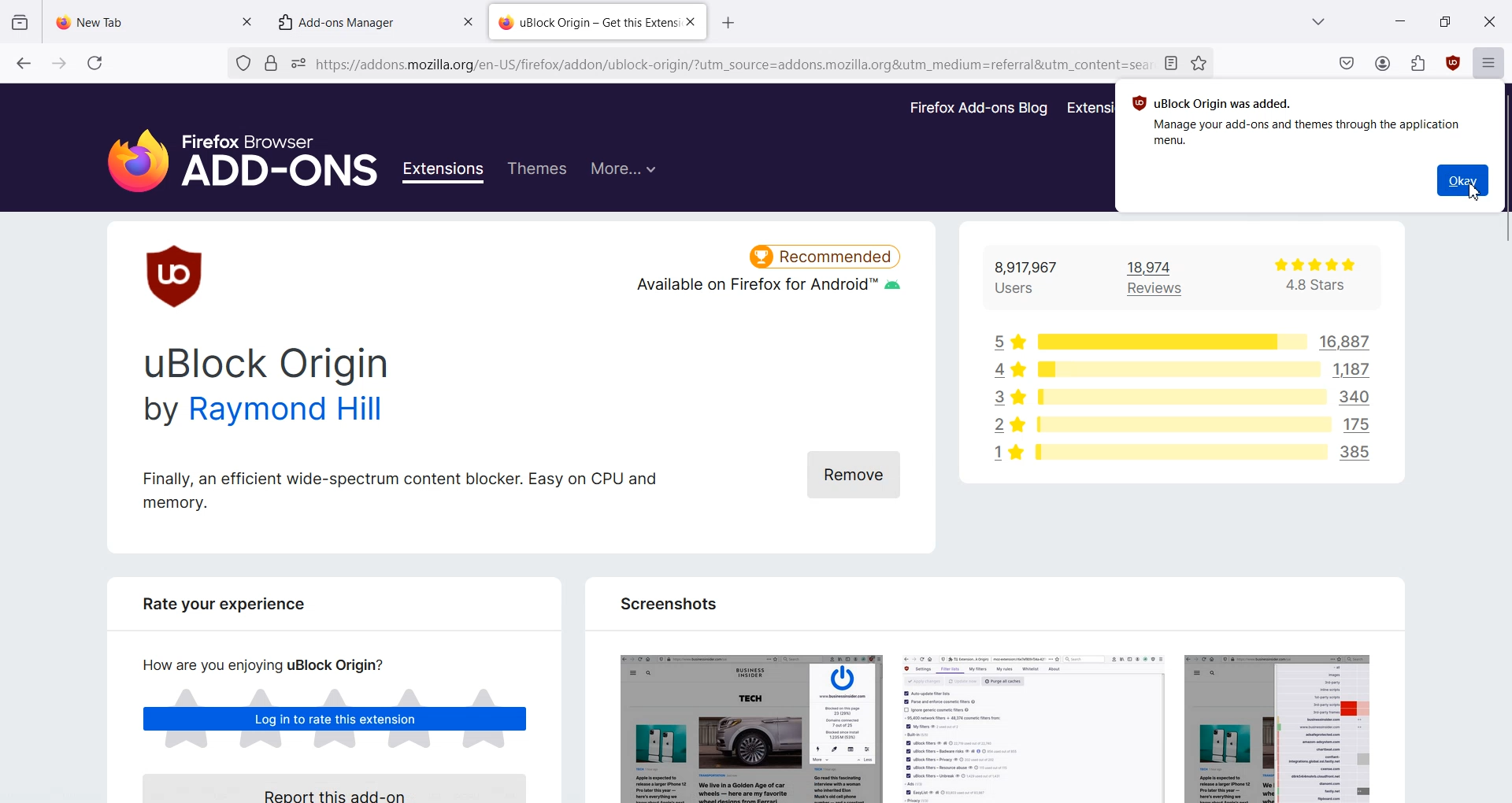 This screenshot has width=1512, height=803. I want to click on Okay, so click(1462, 183).